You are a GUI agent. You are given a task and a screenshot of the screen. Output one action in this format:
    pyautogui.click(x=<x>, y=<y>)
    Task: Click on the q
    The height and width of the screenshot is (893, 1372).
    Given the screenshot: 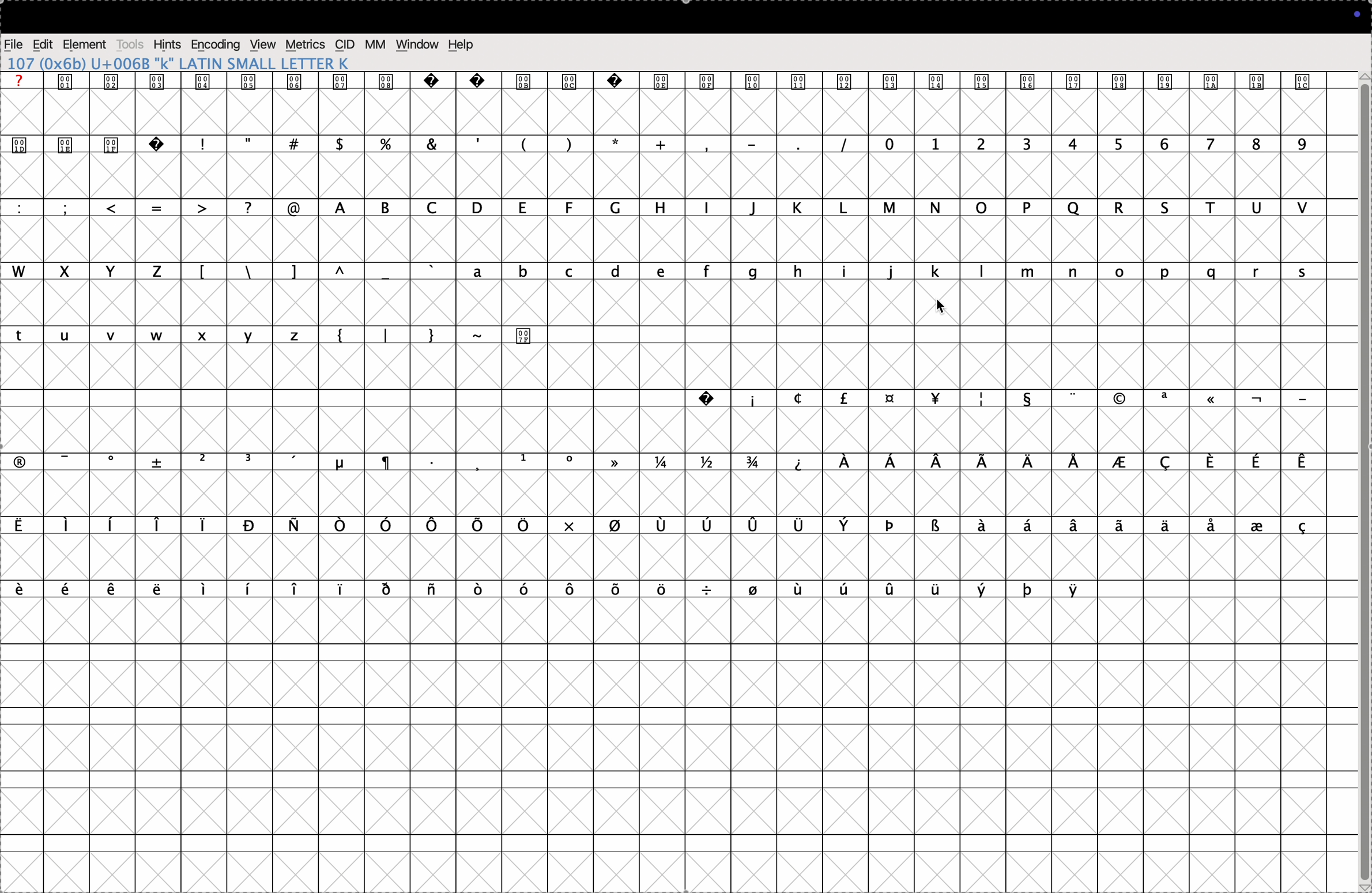 What is the action you would take?
    pyautogui.click(x=1074, y=203)
    